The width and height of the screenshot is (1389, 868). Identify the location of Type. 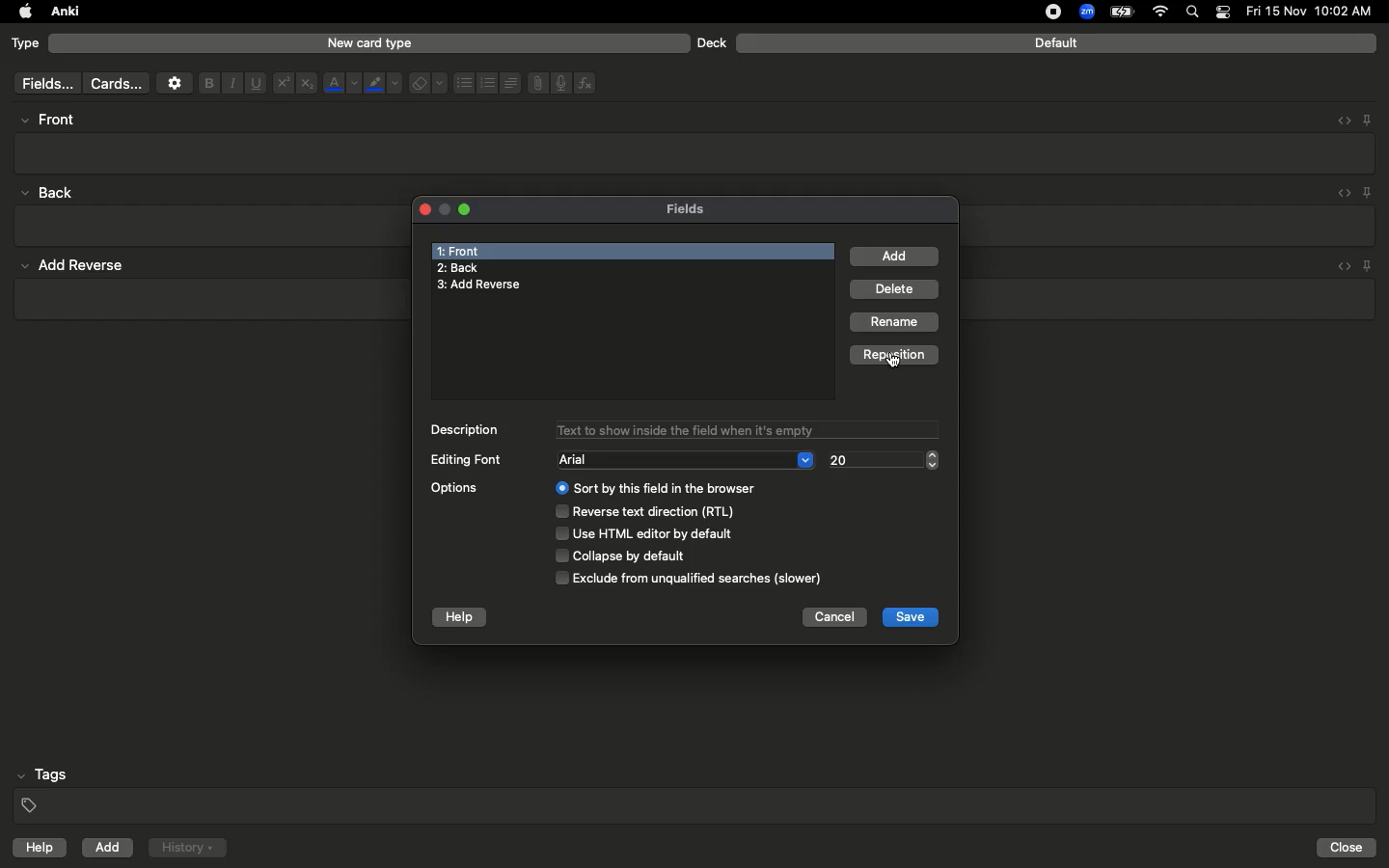
(26, 44).